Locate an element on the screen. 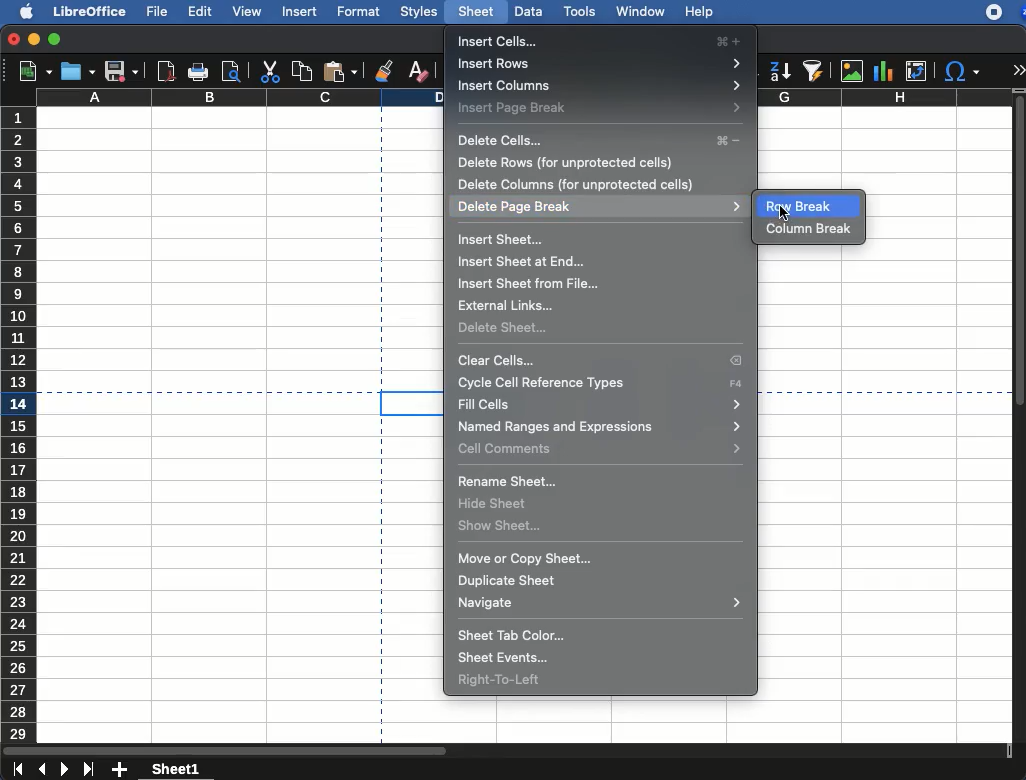 This screenshot has height=780, width=1026. insert sheet is located at coordinates (502, 240).